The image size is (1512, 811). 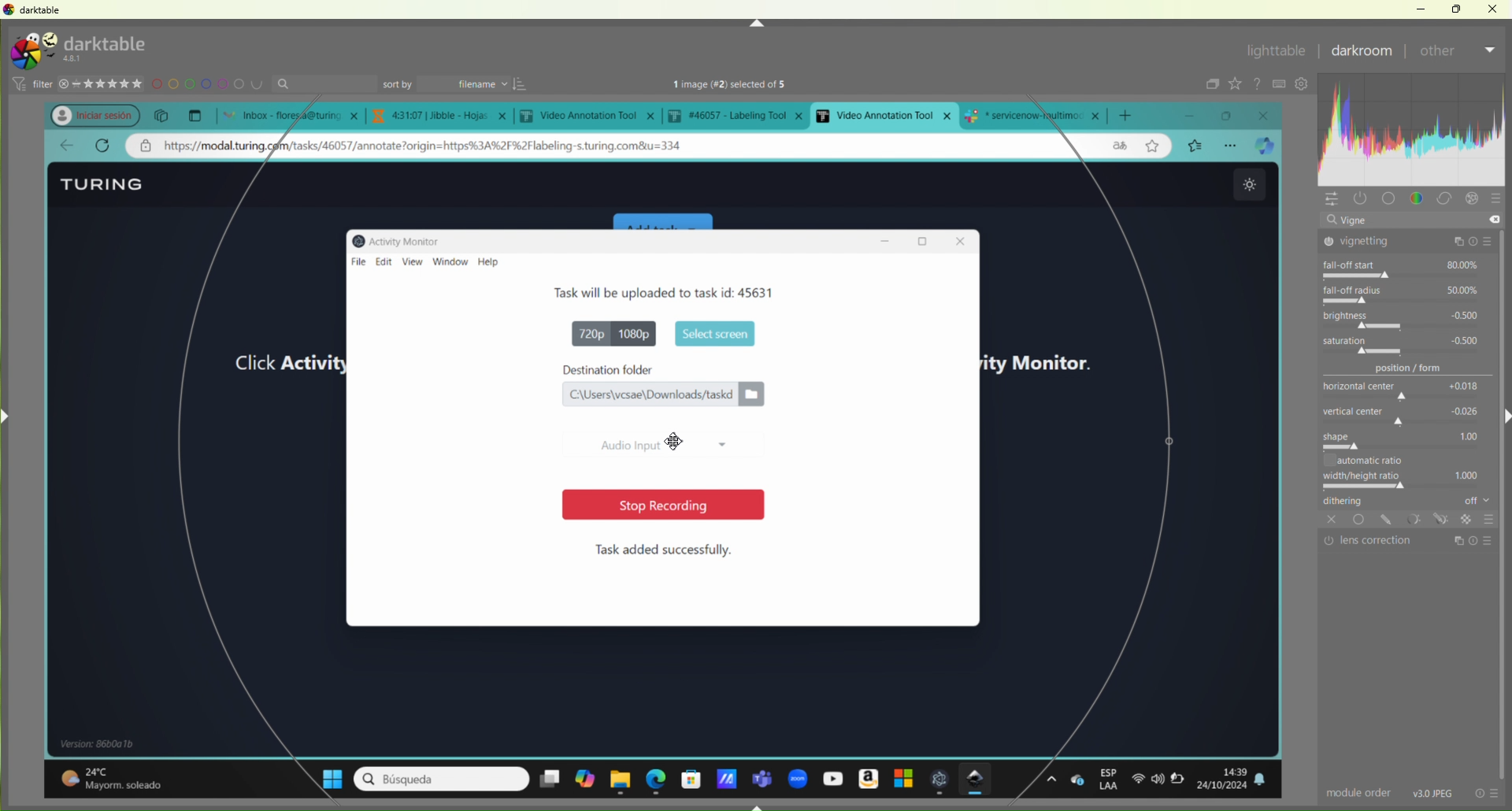 I want to click on Down, so click(x=758, y=805).